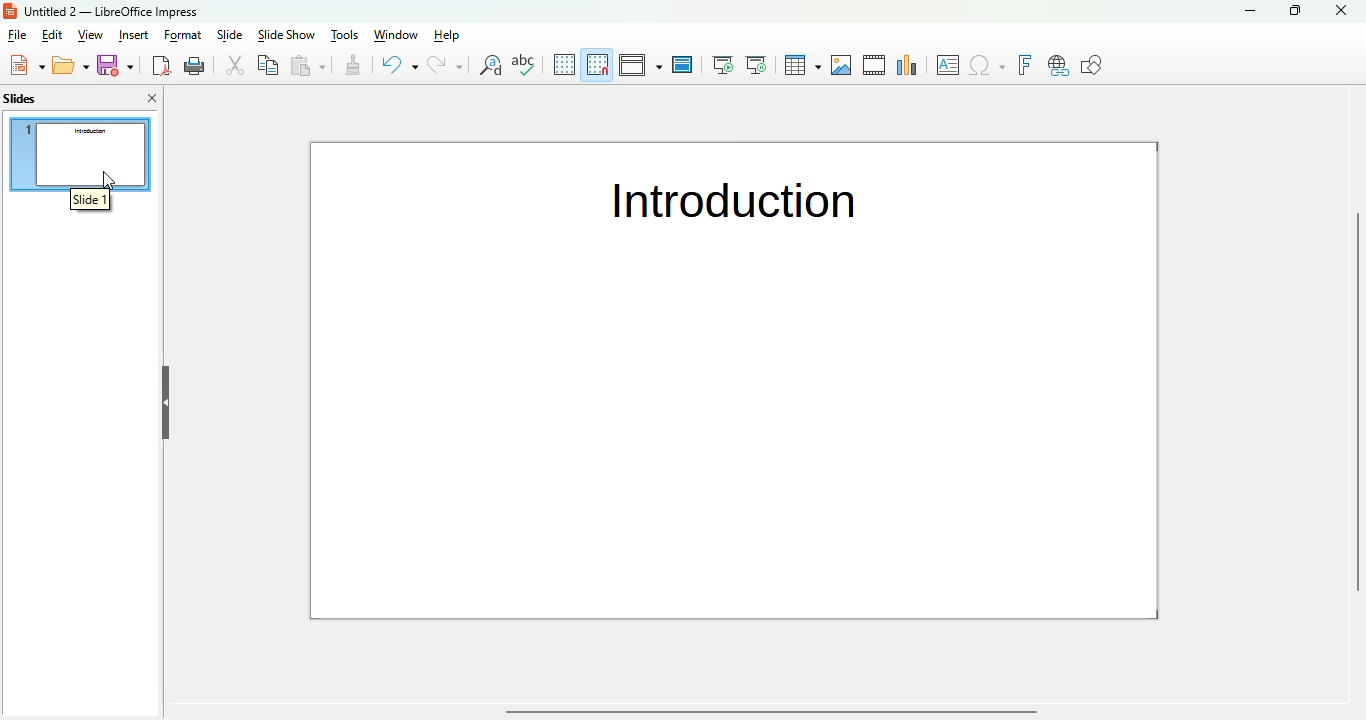 The height and width of the screenshot is (720, 1366). I want to click on vertical scrollbar, so click(1359, 400).